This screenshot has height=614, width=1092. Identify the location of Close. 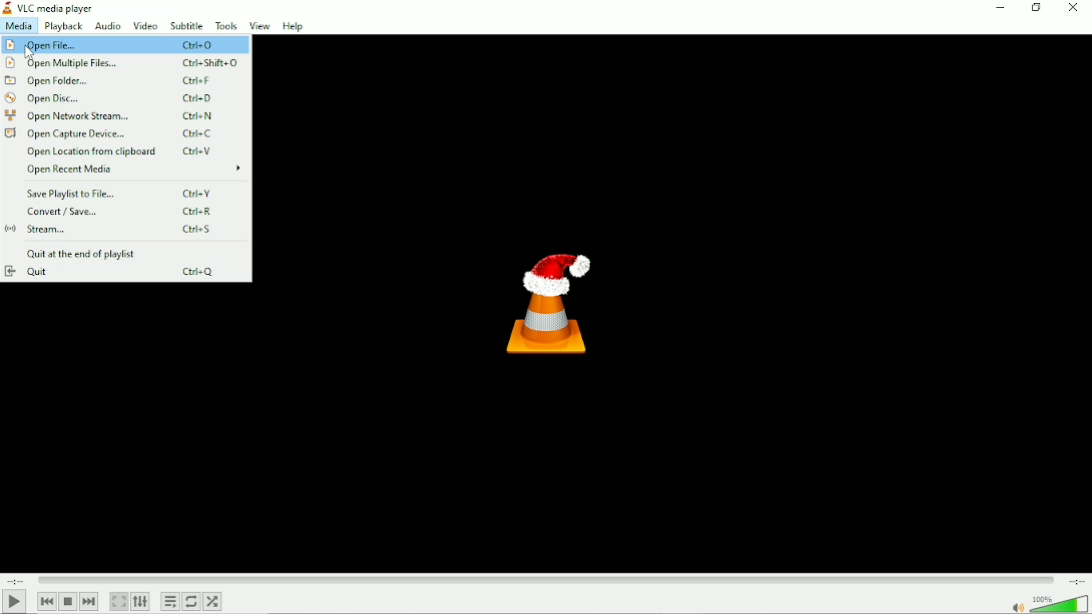
(1074, 10).